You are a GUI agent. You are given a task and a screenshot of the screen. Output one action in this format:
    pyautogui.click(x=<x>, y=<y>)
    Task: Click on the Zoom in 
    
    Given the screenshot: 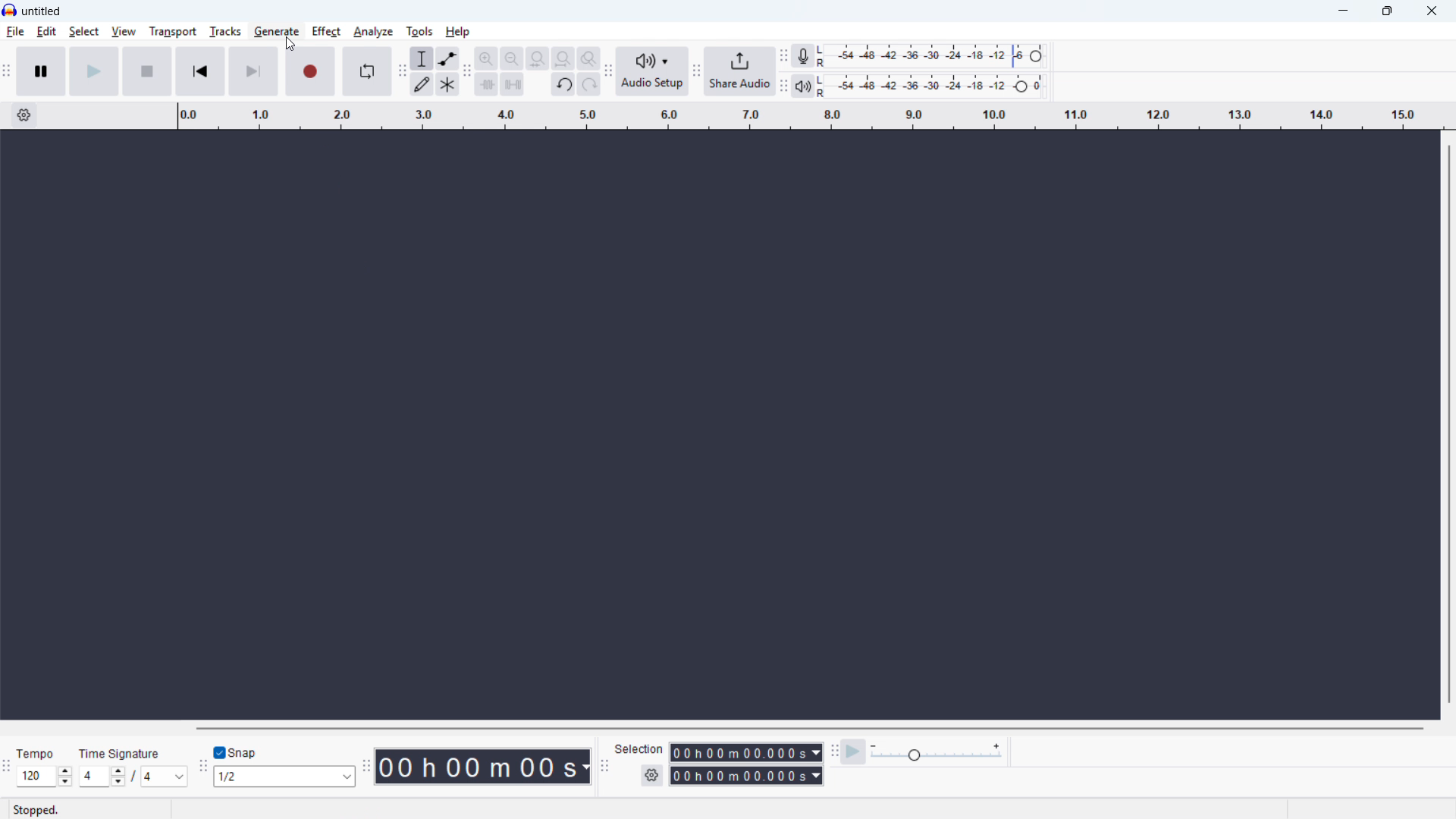 What is the action you would take?
    pyautogui.click(x=486, y=58)
    